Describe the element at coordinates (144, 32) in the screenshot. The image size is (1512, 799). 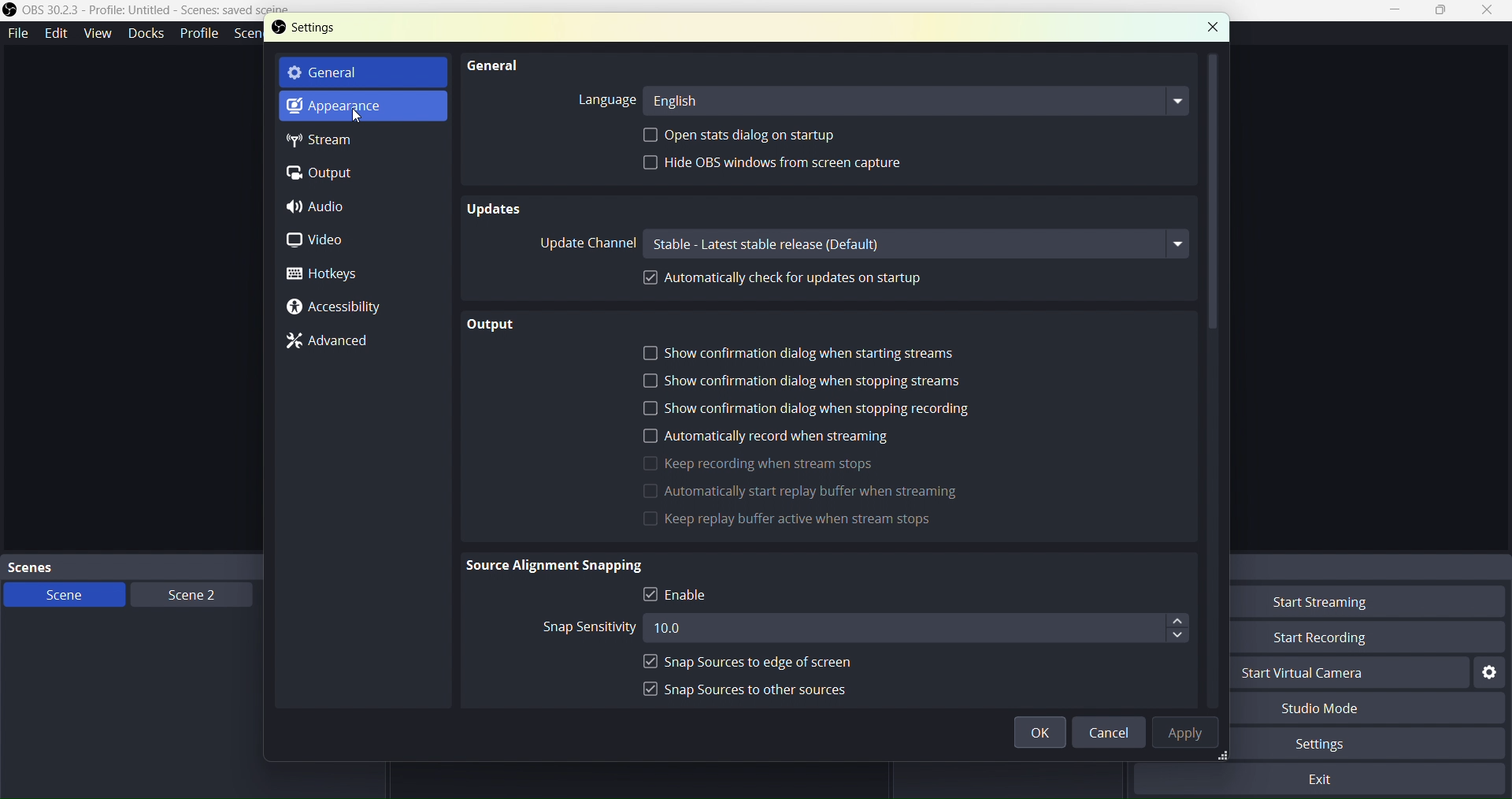
I see `Docks` at that location.